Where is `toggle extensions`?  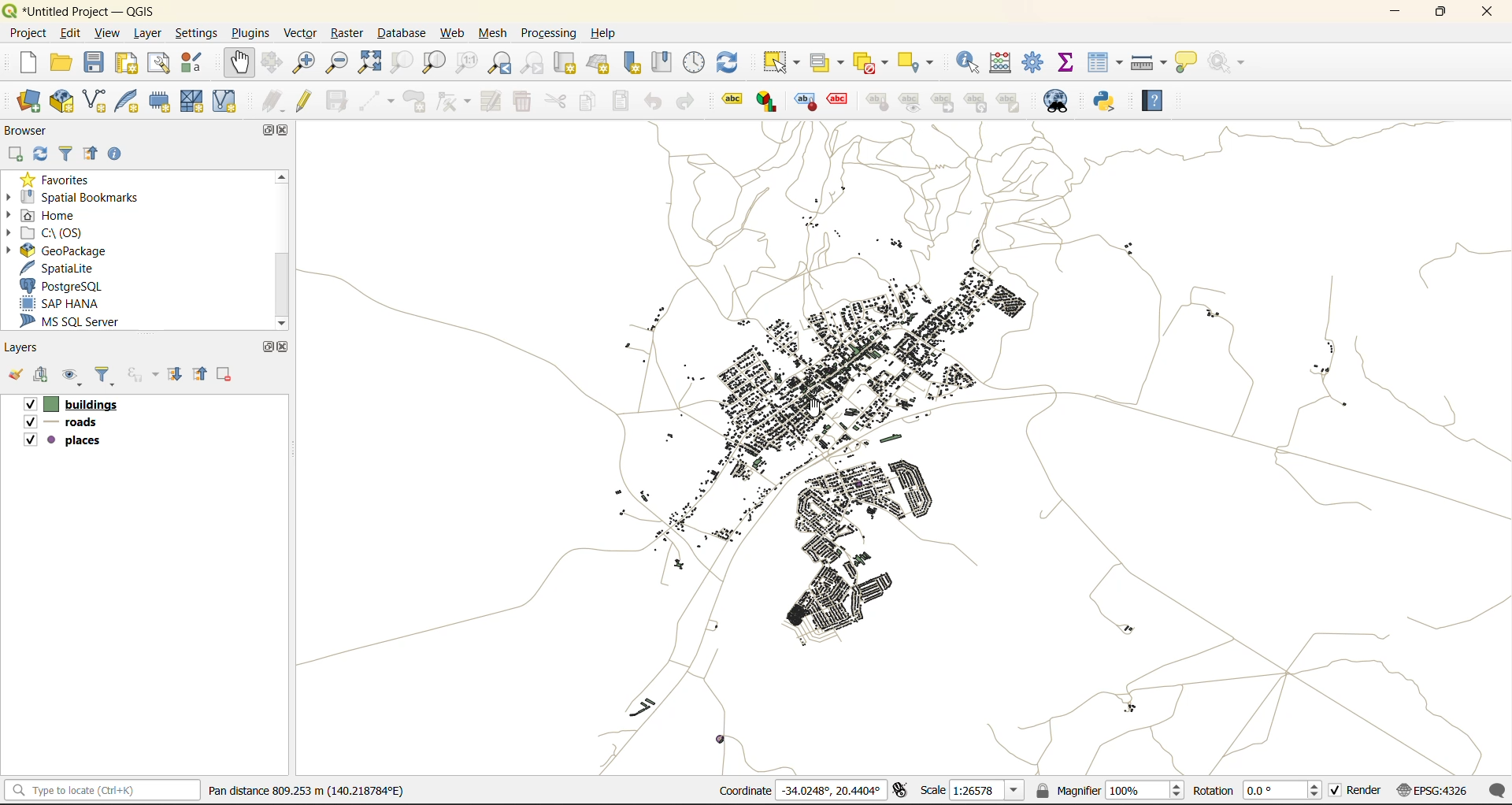 toggle extensions is located at coordinates (905, 791).